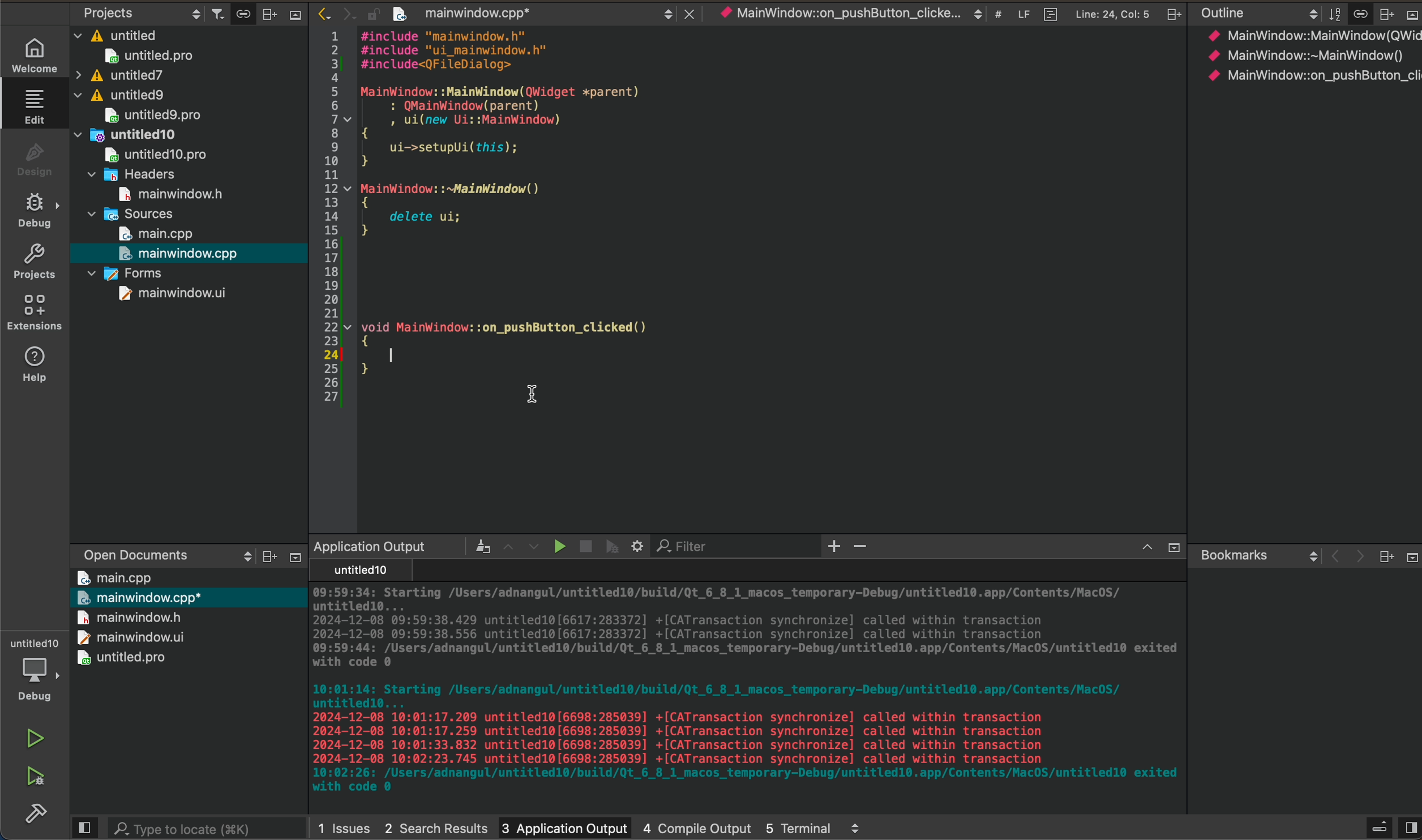 This screenshot has height=840, width=1422. Describe the element at coordinates (697, 825) in the screenshot. I see `4 Compile output` at that location.